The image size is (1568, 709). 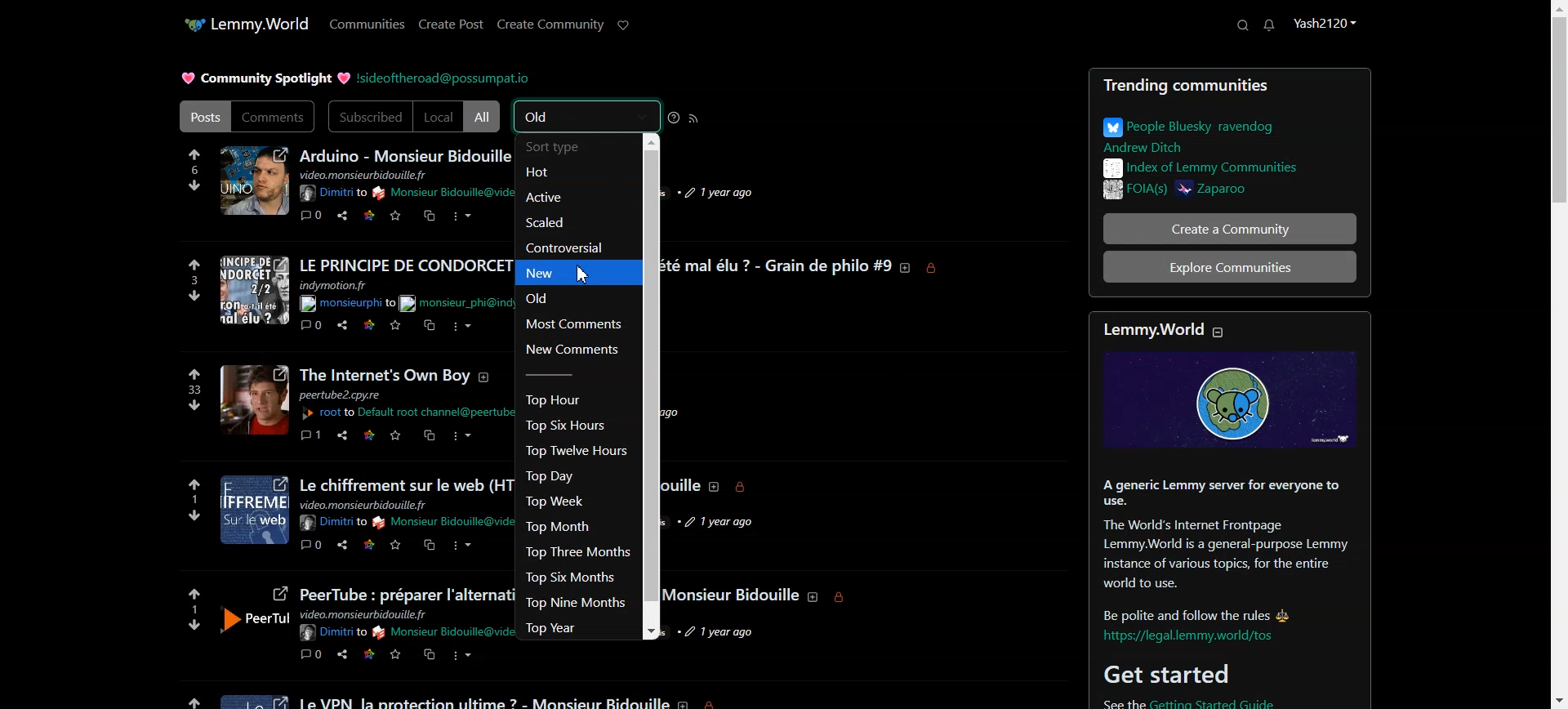 What do you see at coordinates (717, 522) in the screenshot?
I see `` at bounding box center [717, 522].